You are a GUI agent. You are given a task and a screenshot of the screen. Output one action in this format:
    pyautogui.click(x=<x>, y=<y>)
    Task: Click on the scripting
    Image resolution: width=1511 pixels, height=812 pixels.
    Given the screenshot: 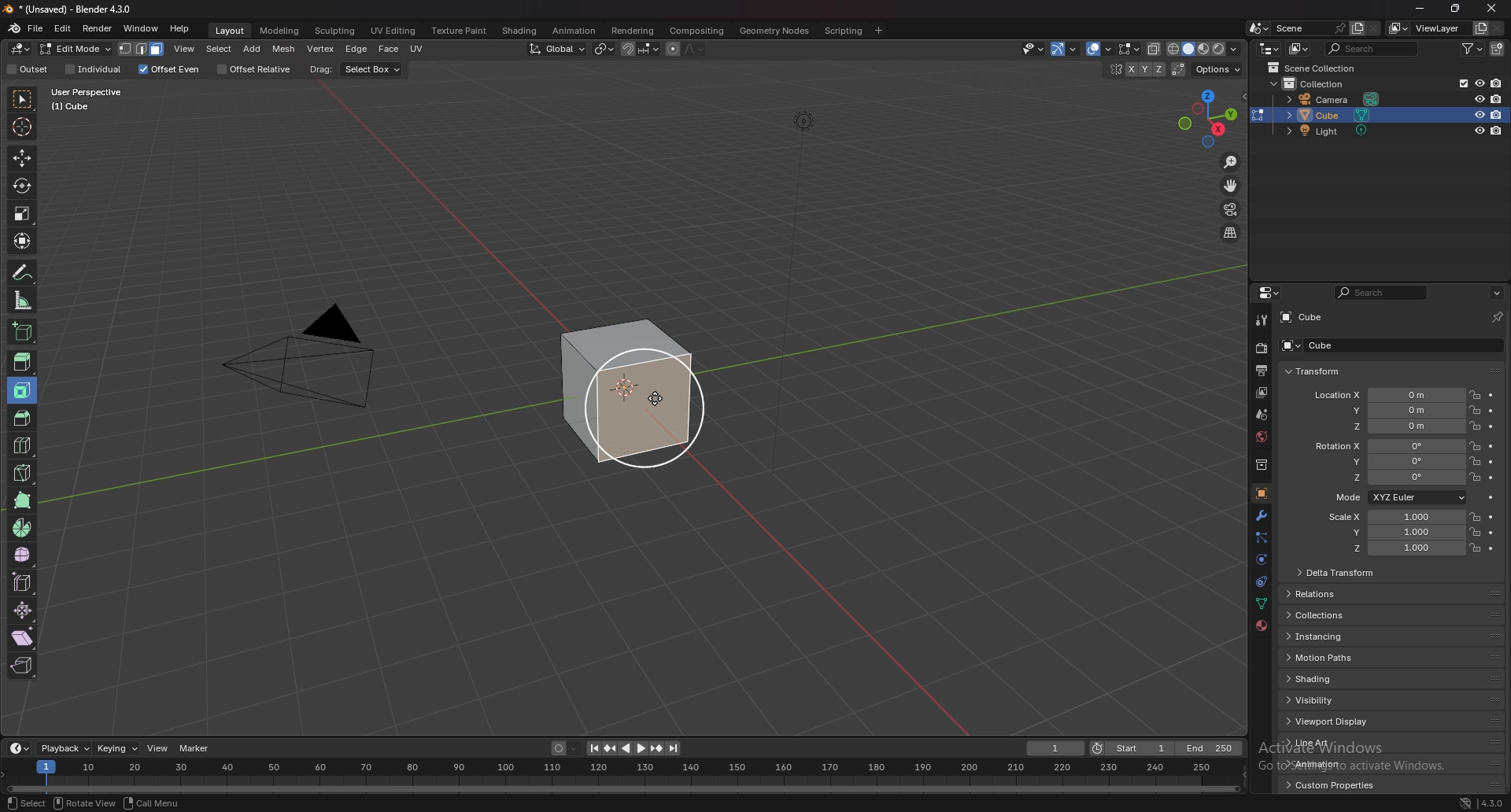 What is the action you would take?
    pyautogui.click(x=842, y=31)
    